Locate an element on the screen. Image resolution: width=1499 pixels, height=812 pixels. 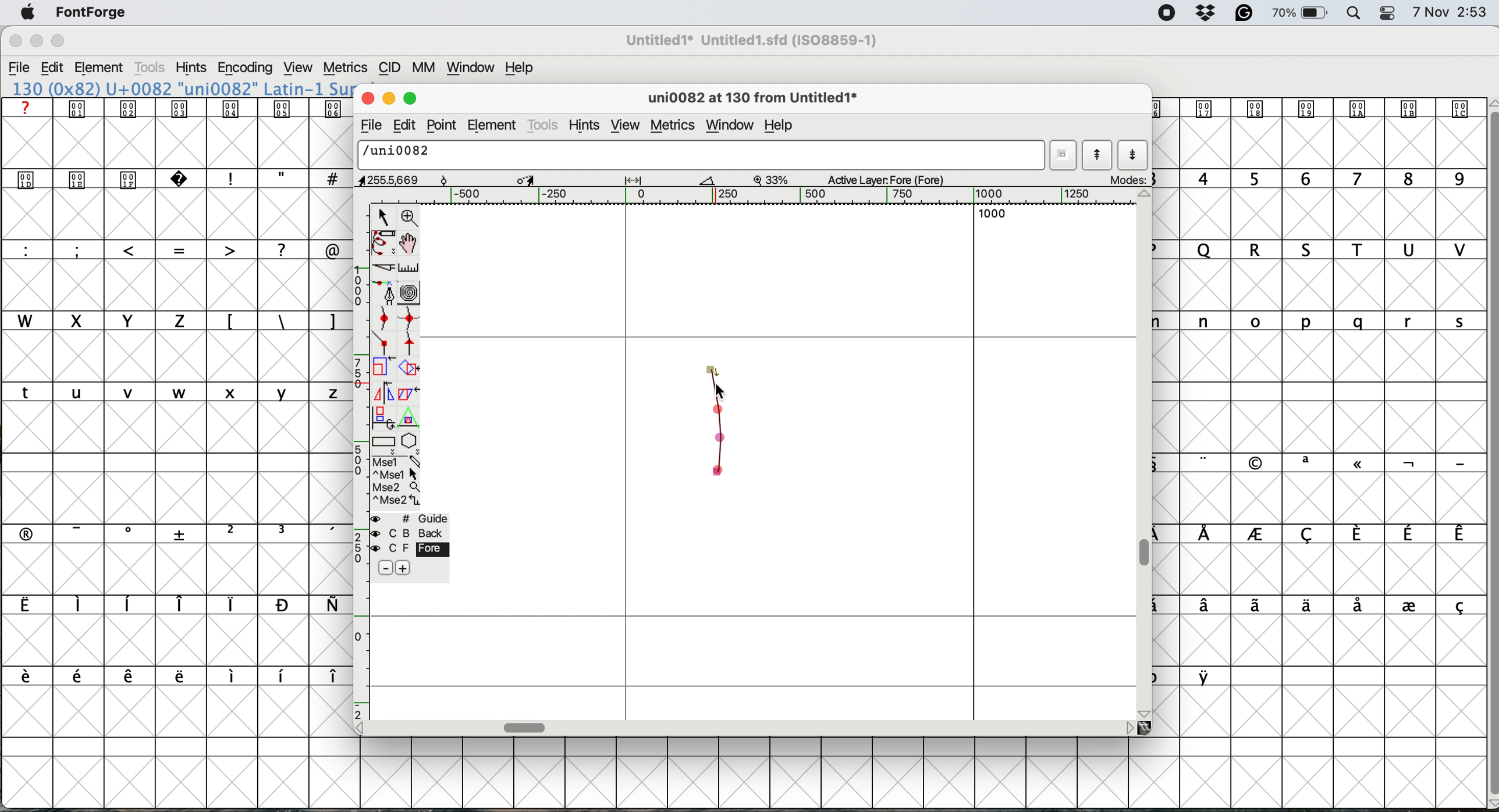
Untitled1 Untitled1.sfd (ISO8859-1) is located at coordinates (755, 40).